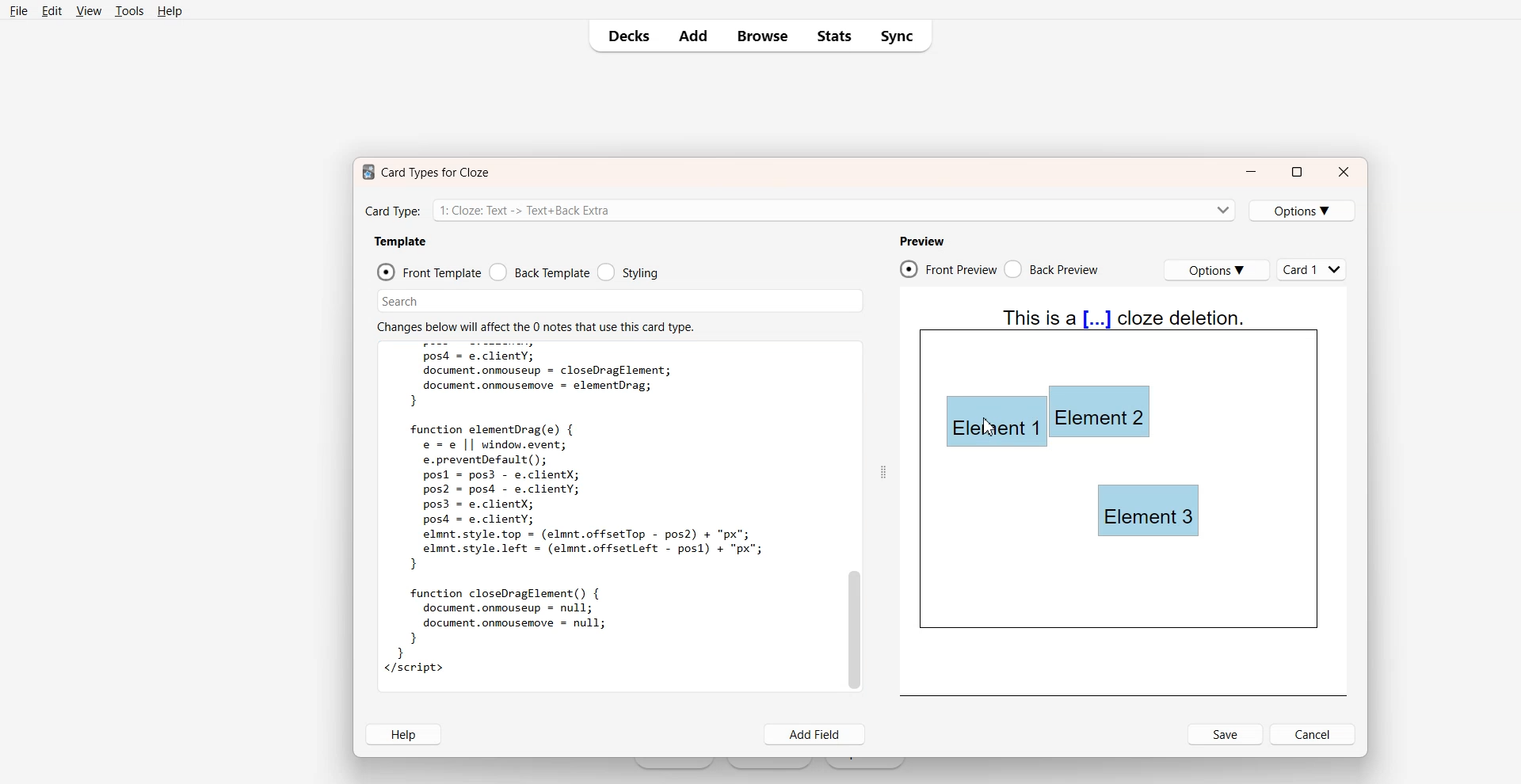 The image size is (1521, 784). What do you see at coordinates (853, 516) in the screenshot?
I see `Vertical Scroll Bar ` at bounding box center [853, 516].